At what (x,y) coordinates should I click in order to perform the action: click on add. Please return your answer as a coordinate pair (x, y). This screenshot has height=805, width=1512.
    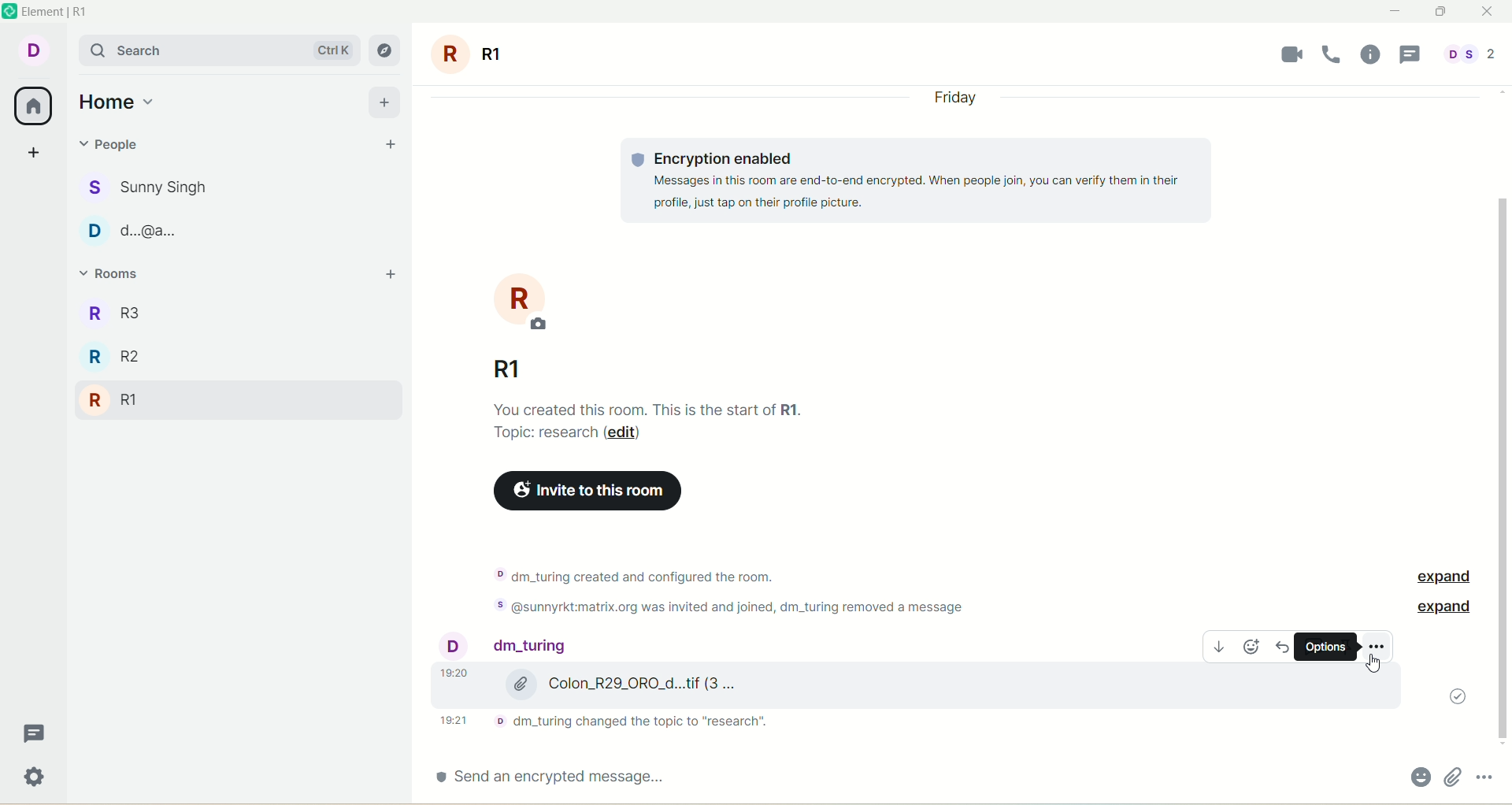
    Looking at the image, I should click on (390, 274).